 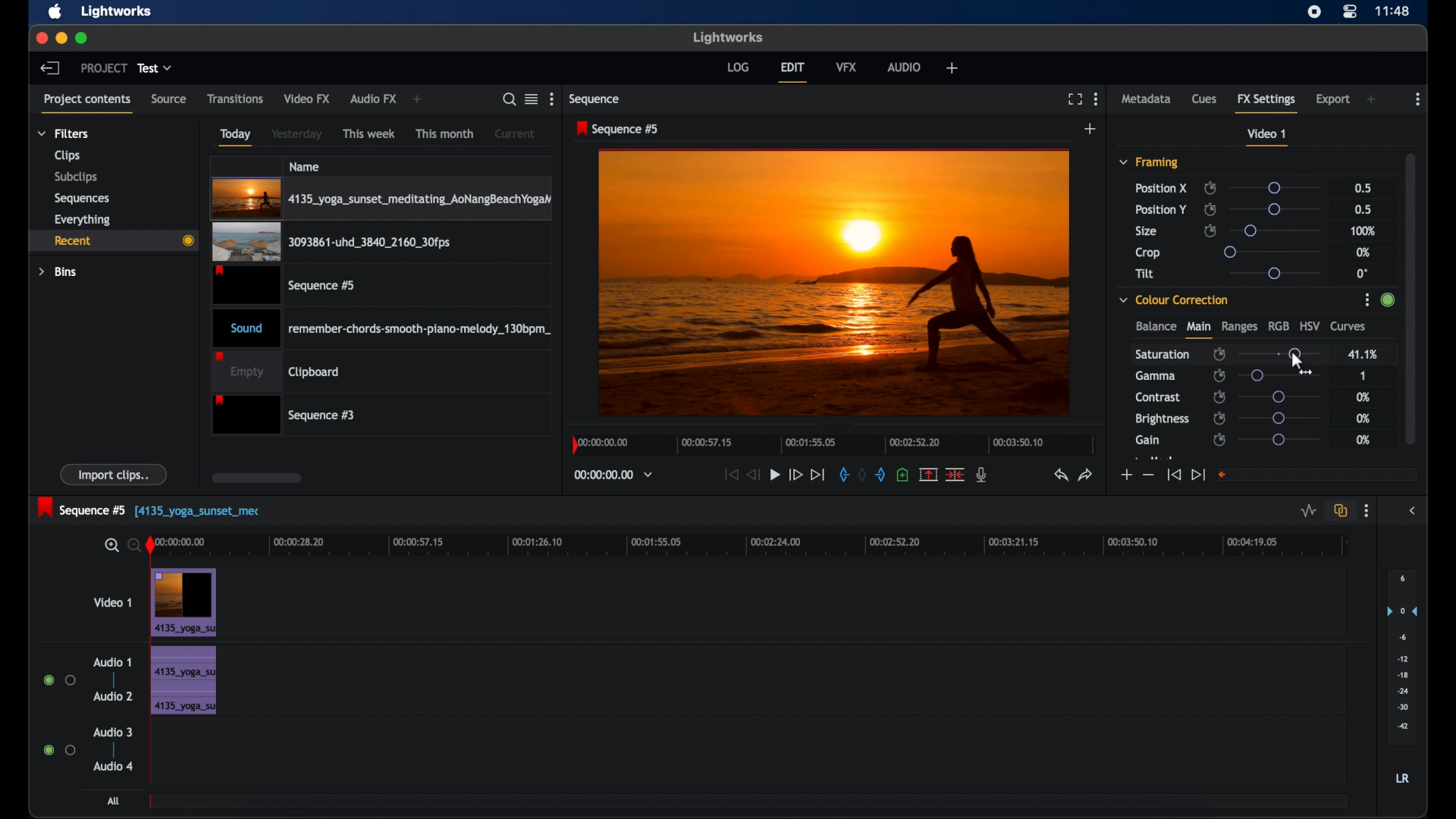 I want to click on radio buttons, so click(x=60, y=680).